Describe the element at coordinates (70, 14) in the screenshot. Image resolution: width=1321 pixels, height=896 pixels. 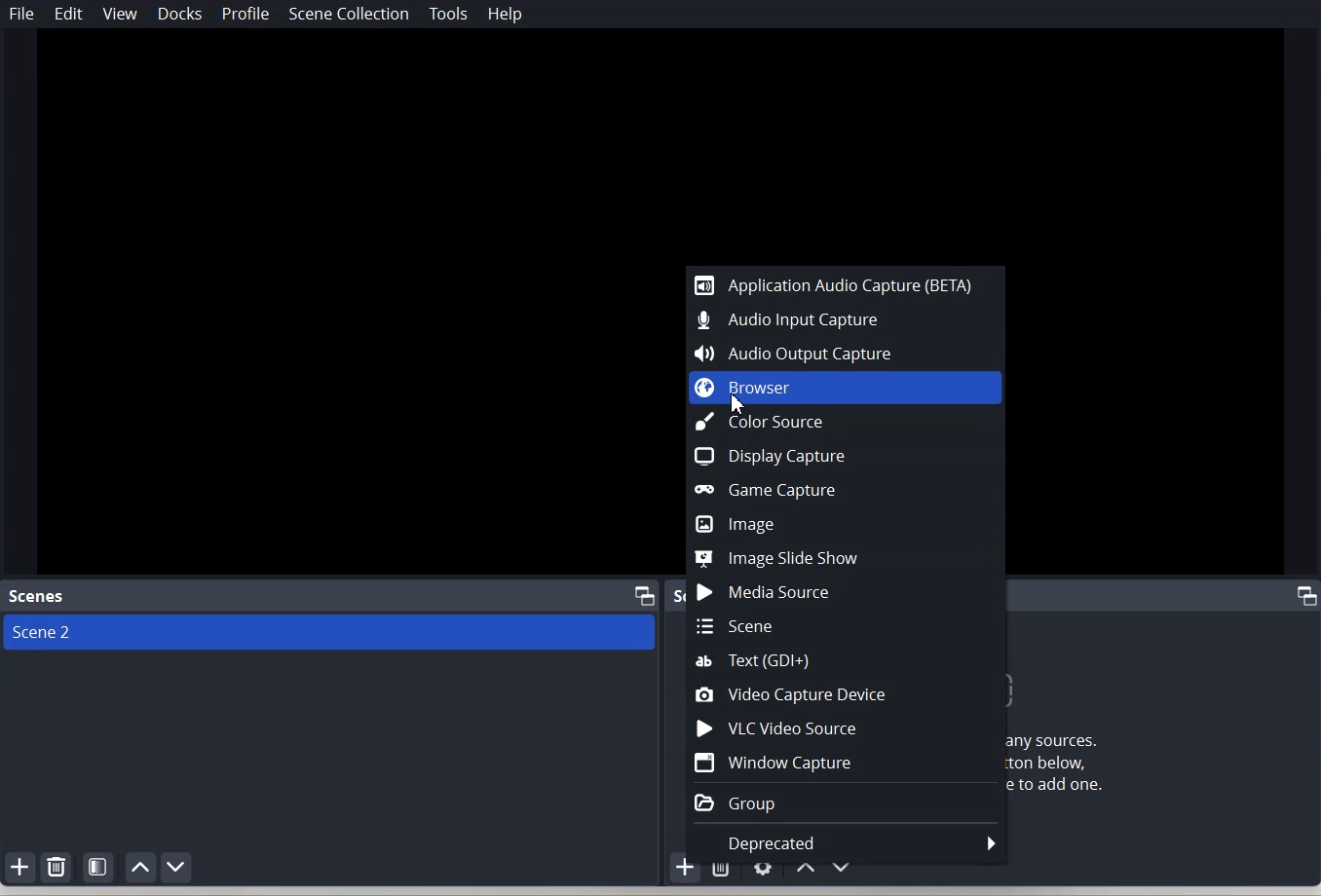
I see `Edit` at that location.